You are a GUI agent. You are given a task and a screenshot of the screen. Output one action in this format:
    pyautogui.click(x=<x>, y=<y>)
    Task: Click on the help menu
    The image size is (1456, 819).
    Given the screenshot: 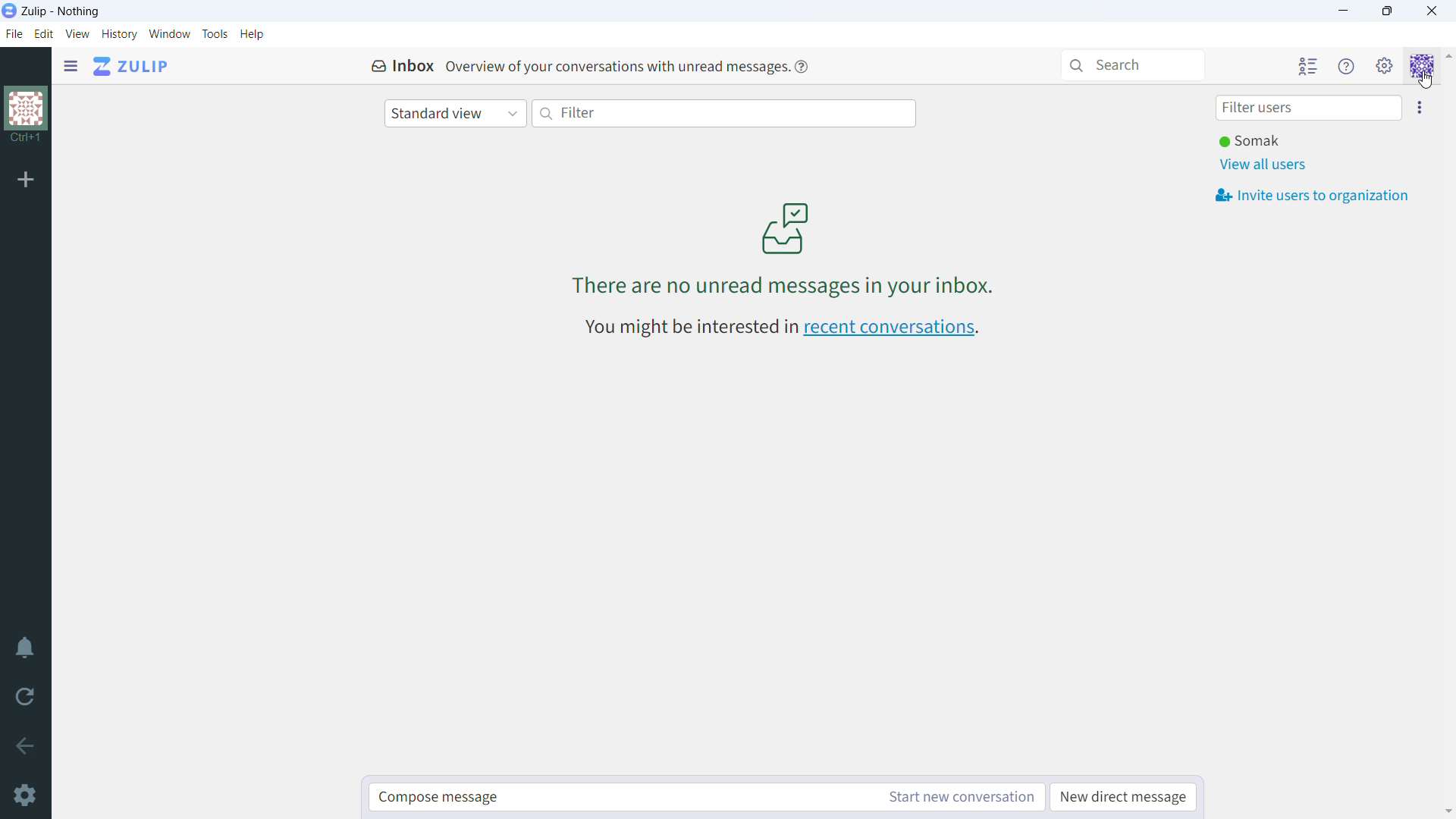 What is the action you would take?
    pyautogui.click(x=1347, y=65)
    